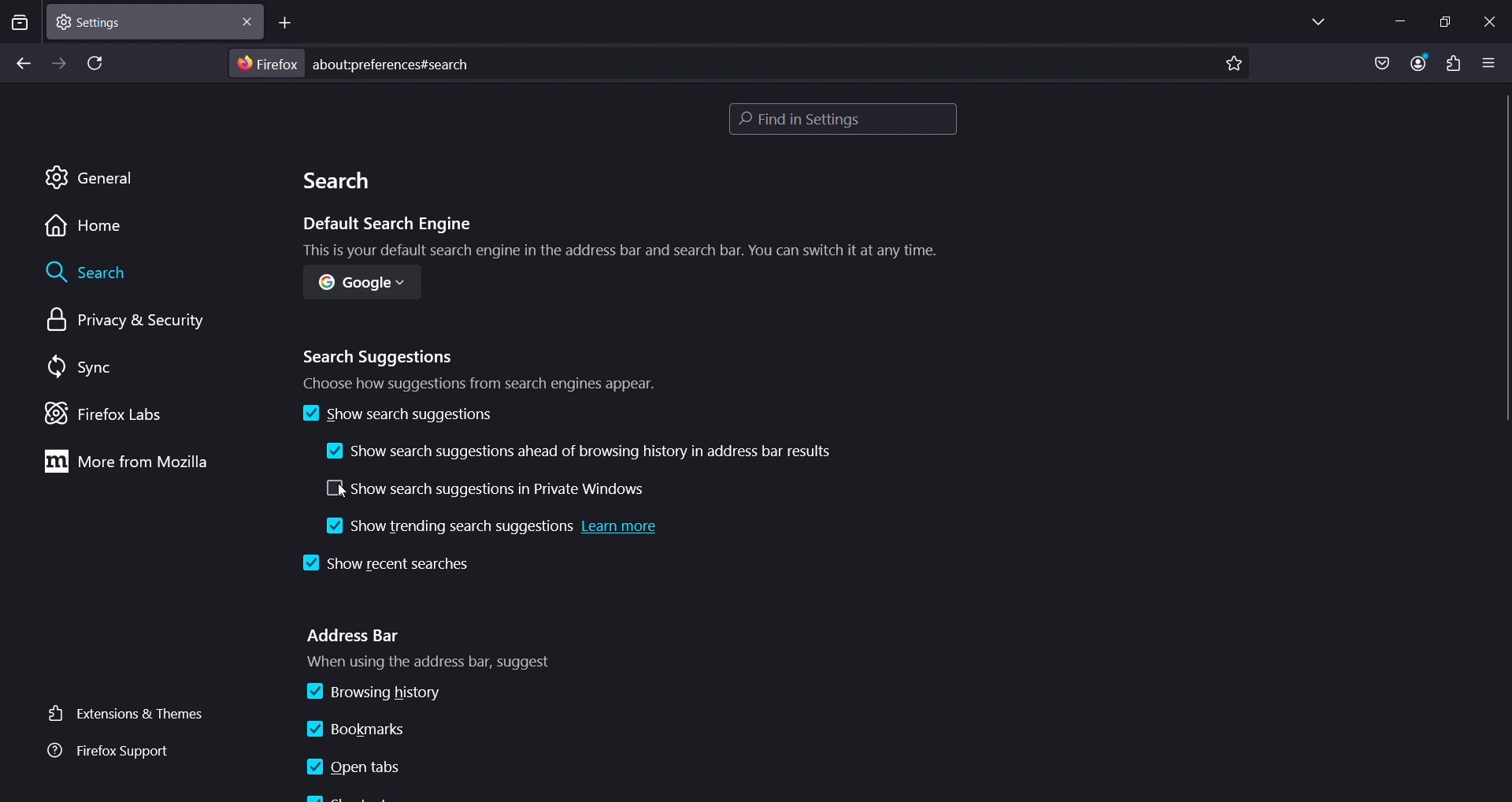  Describe the element at coordinates (354, 635) in the screenshot. I see `address bar` at that location.